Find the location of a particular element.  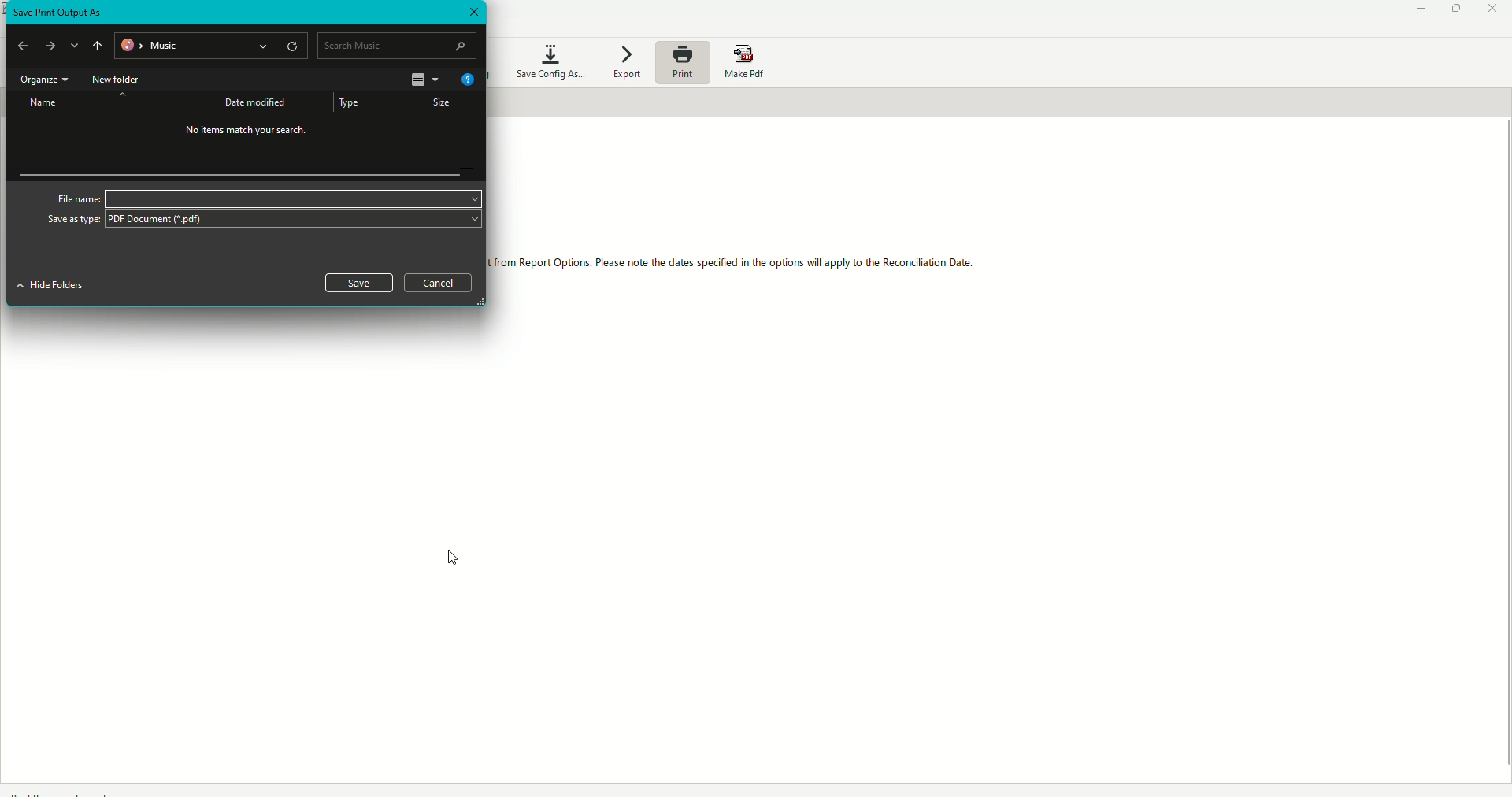

Print is located at coordinates (684, 66).